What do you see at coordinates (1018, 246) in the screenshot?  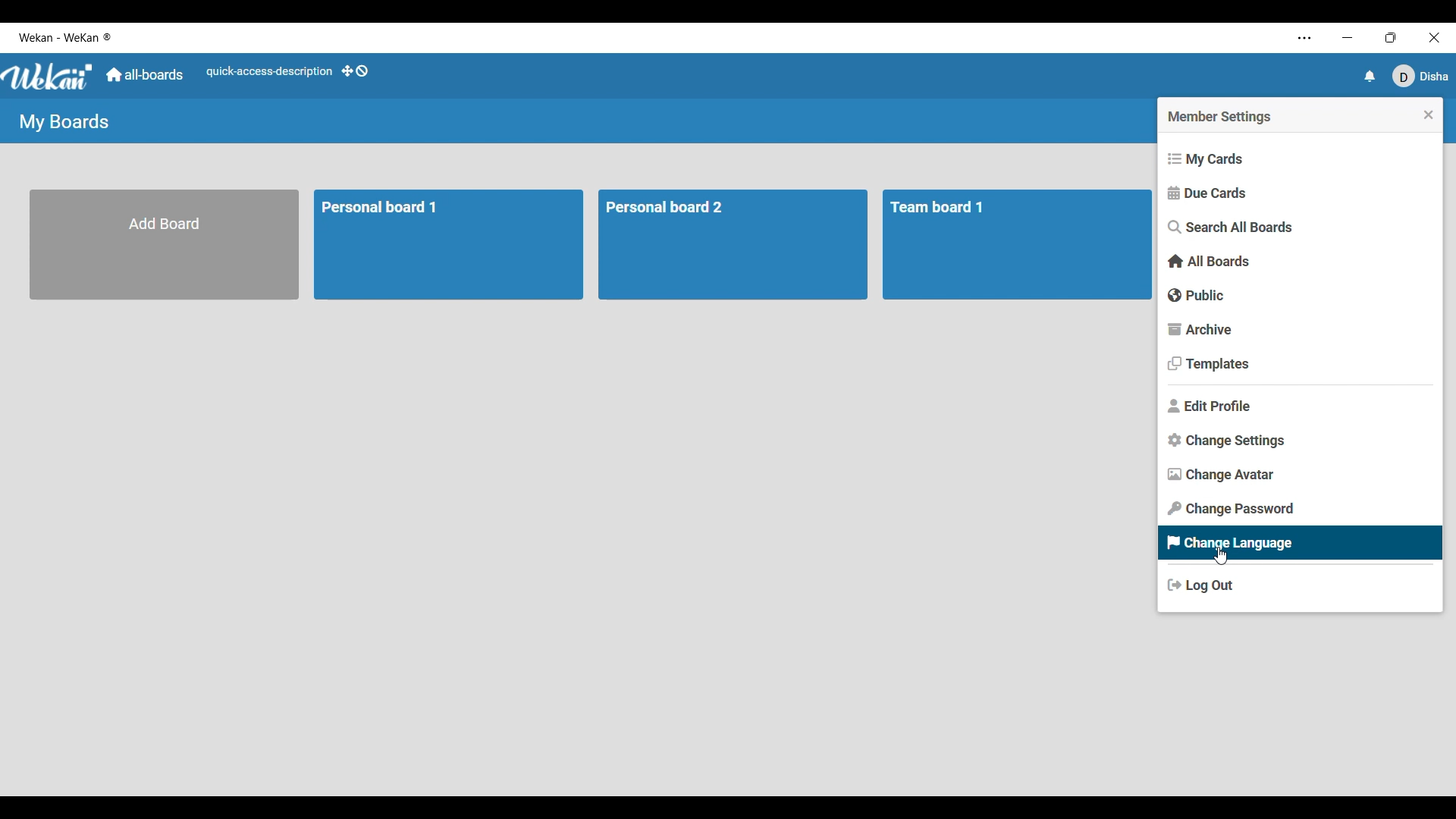 I see `team board 1` at bounding box center [1018, 246].